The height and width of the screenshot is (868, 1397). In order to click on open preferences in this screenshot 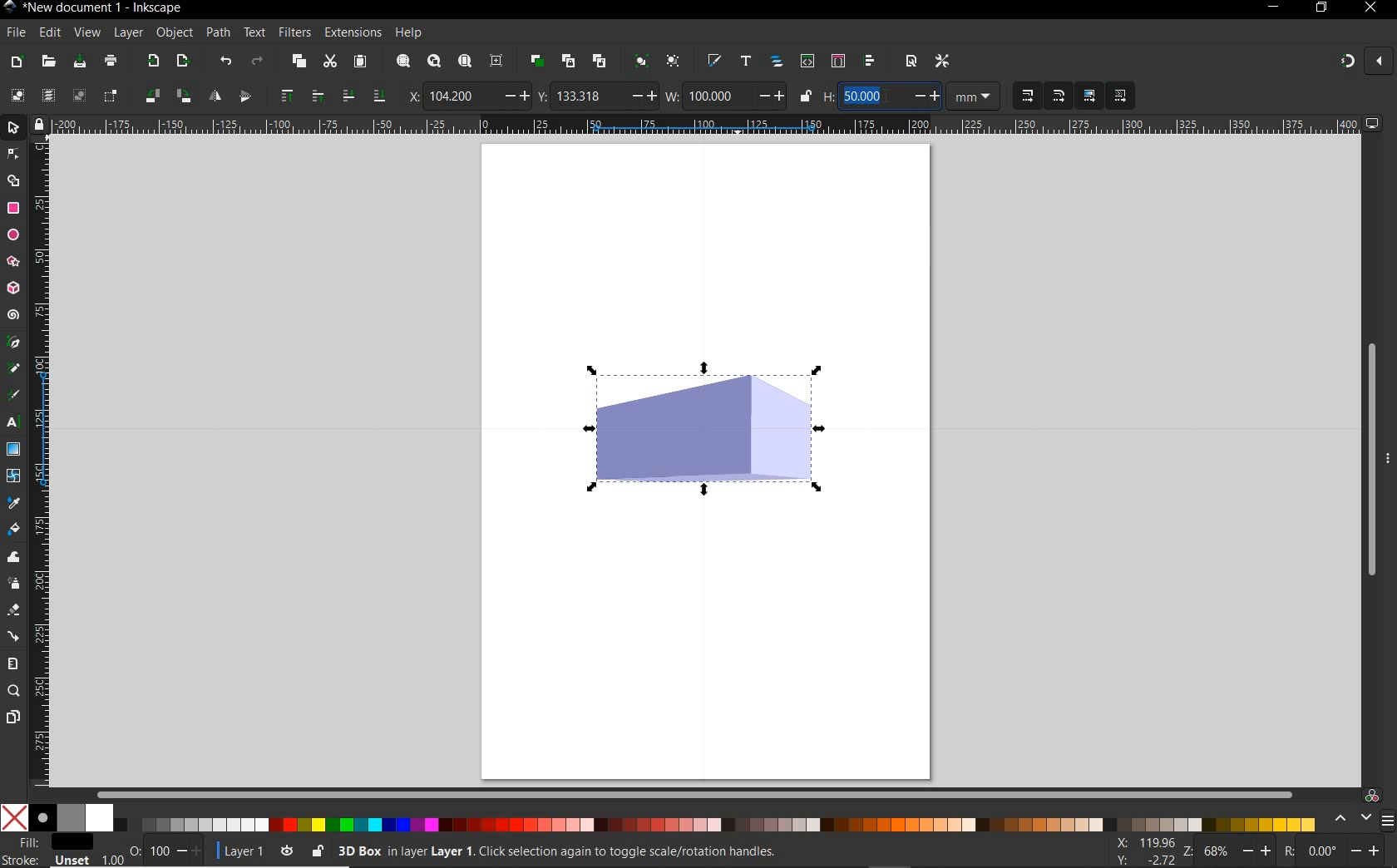, I will do `click(946, 62)`.